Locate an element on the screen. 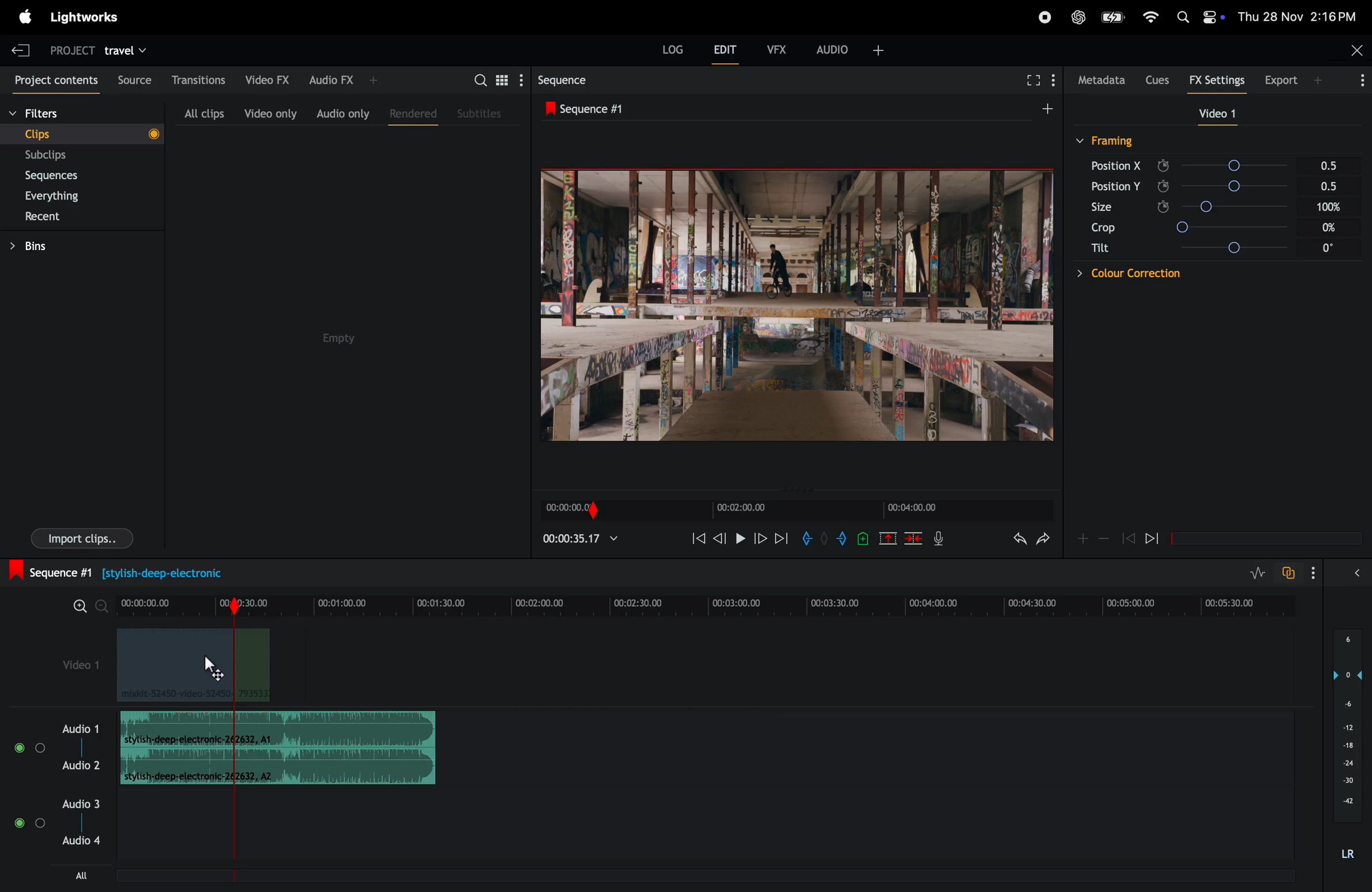 The image size is (1372, 892). filters is located at coordinates (61, 114).